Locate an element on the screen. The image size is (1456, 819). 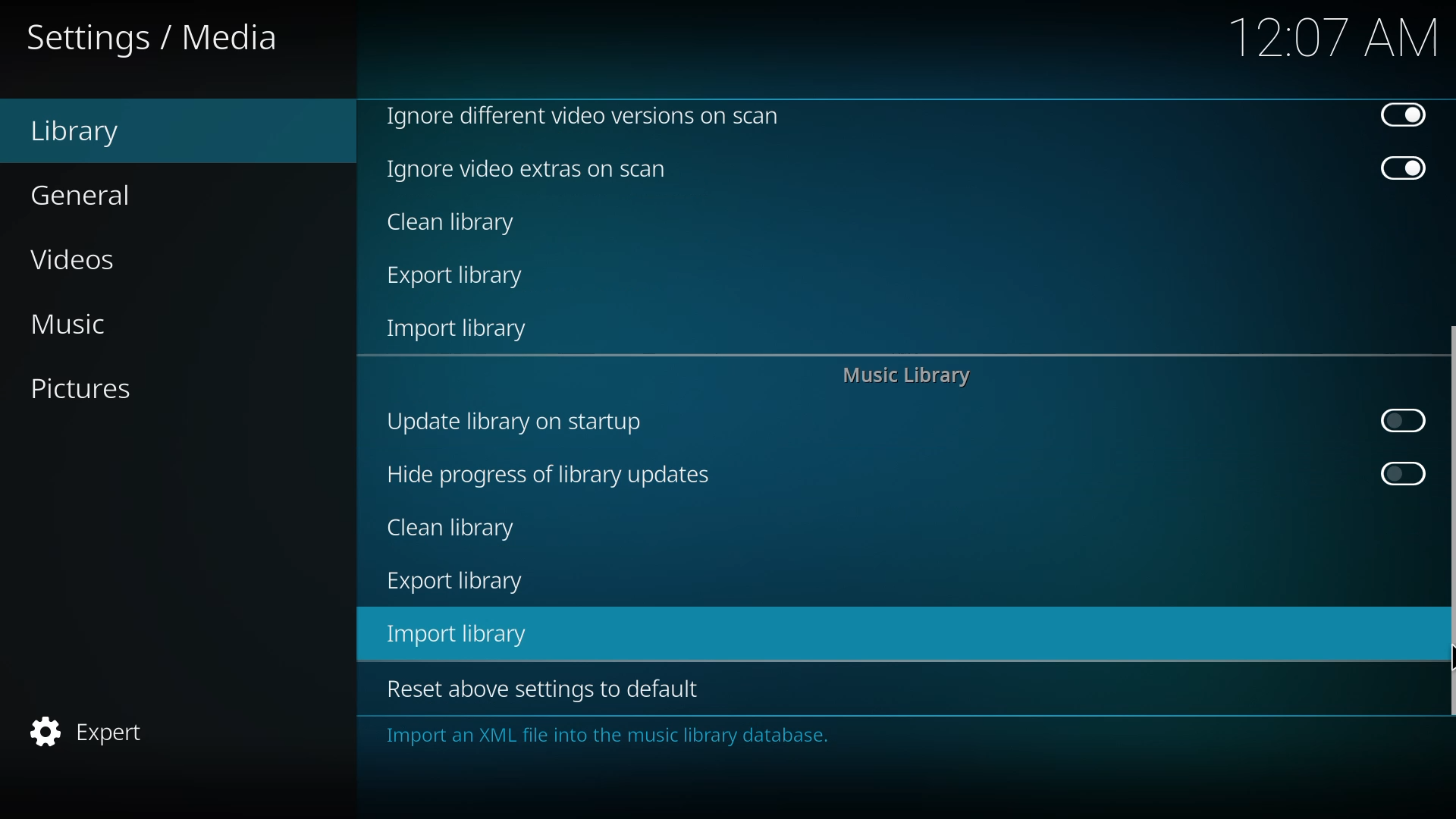
hide progress is located at coordinates (547, 475).